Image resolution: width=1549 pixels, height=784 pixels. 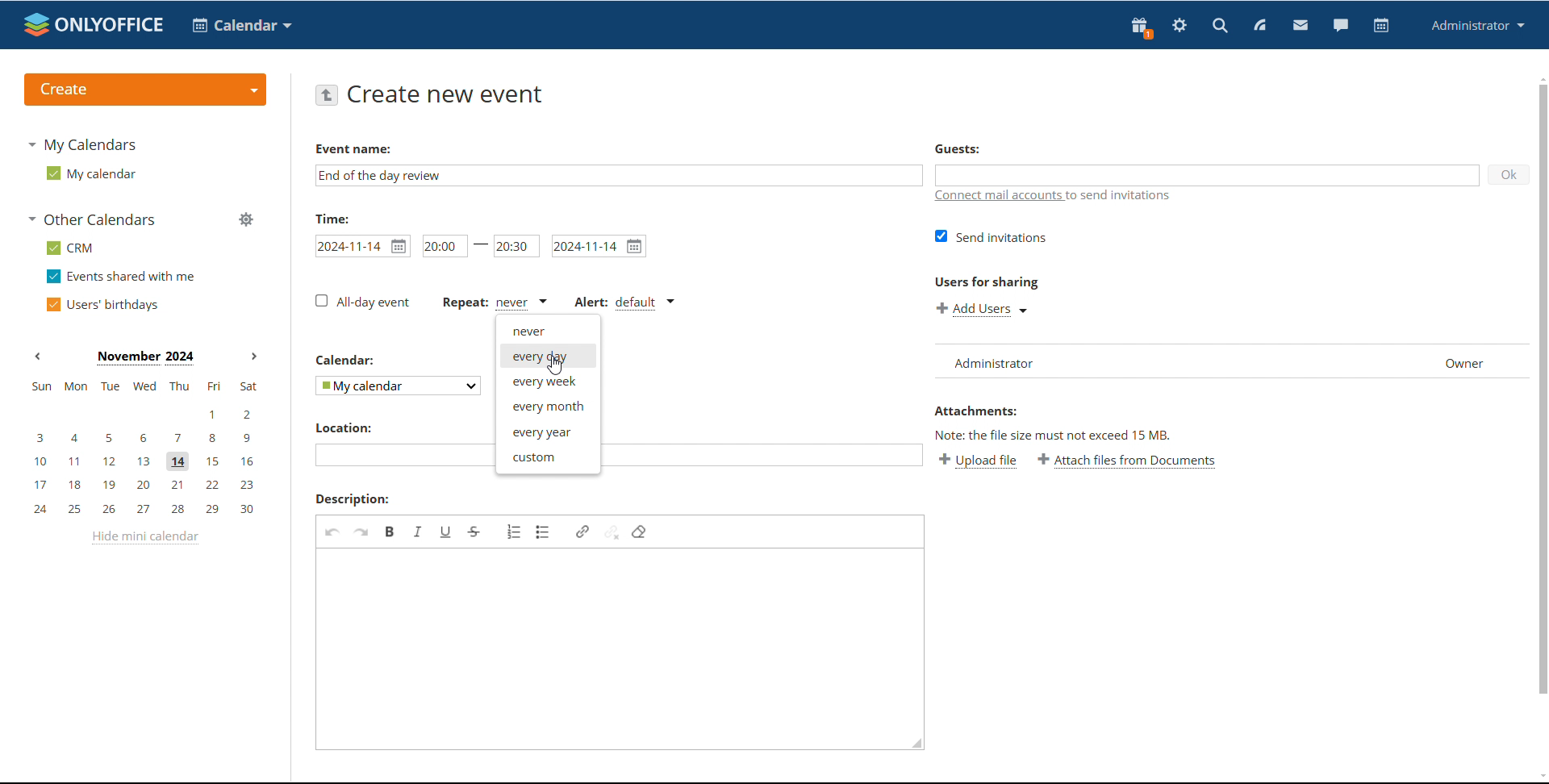 What do you see at coordinates (332, 532) in the screenshot?
I see `undo` at bounding box center [332, 532].